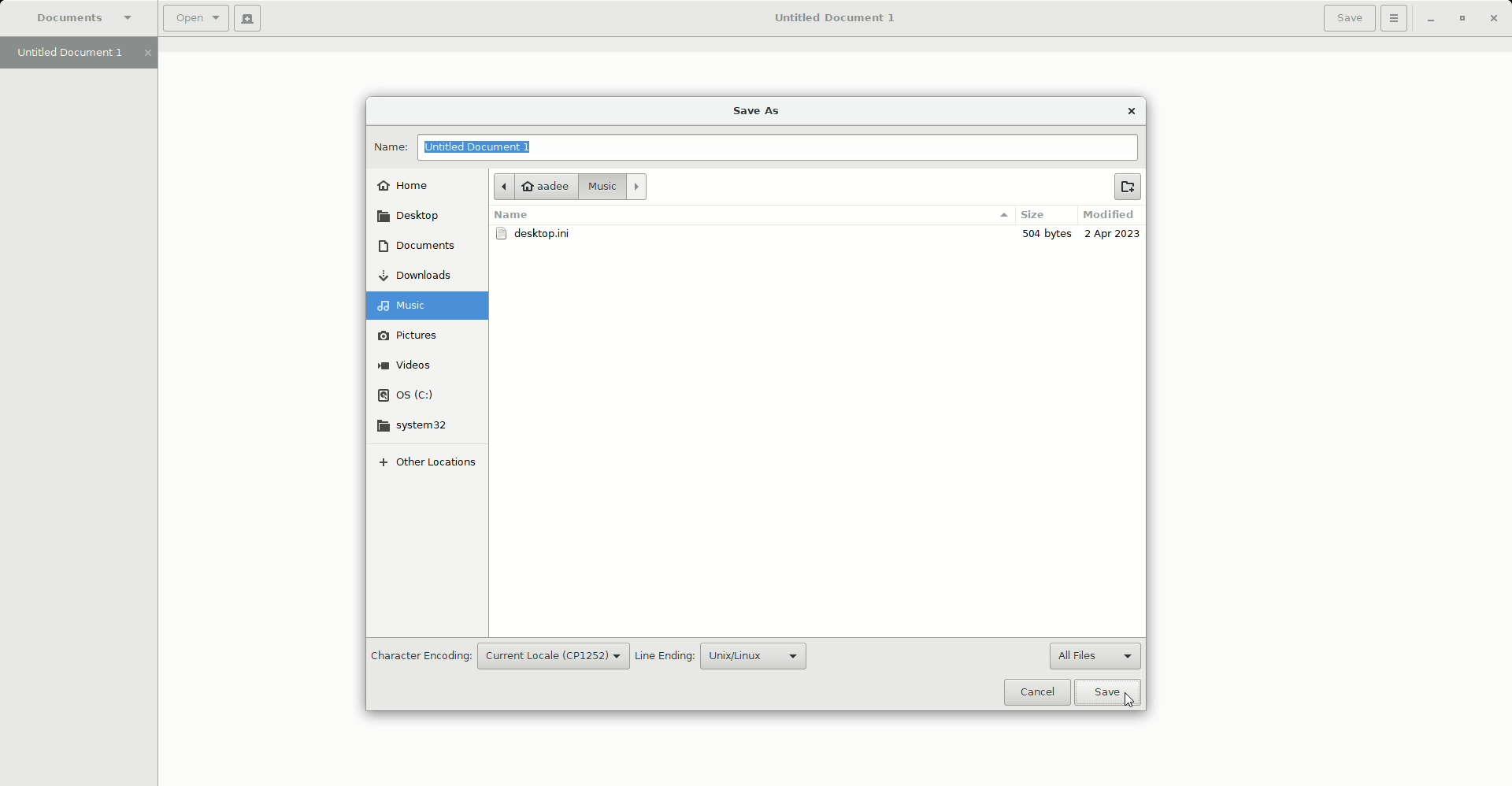 The height and width of the screenshot is (786, 1512). I want to click on Music, so click(427, 307).